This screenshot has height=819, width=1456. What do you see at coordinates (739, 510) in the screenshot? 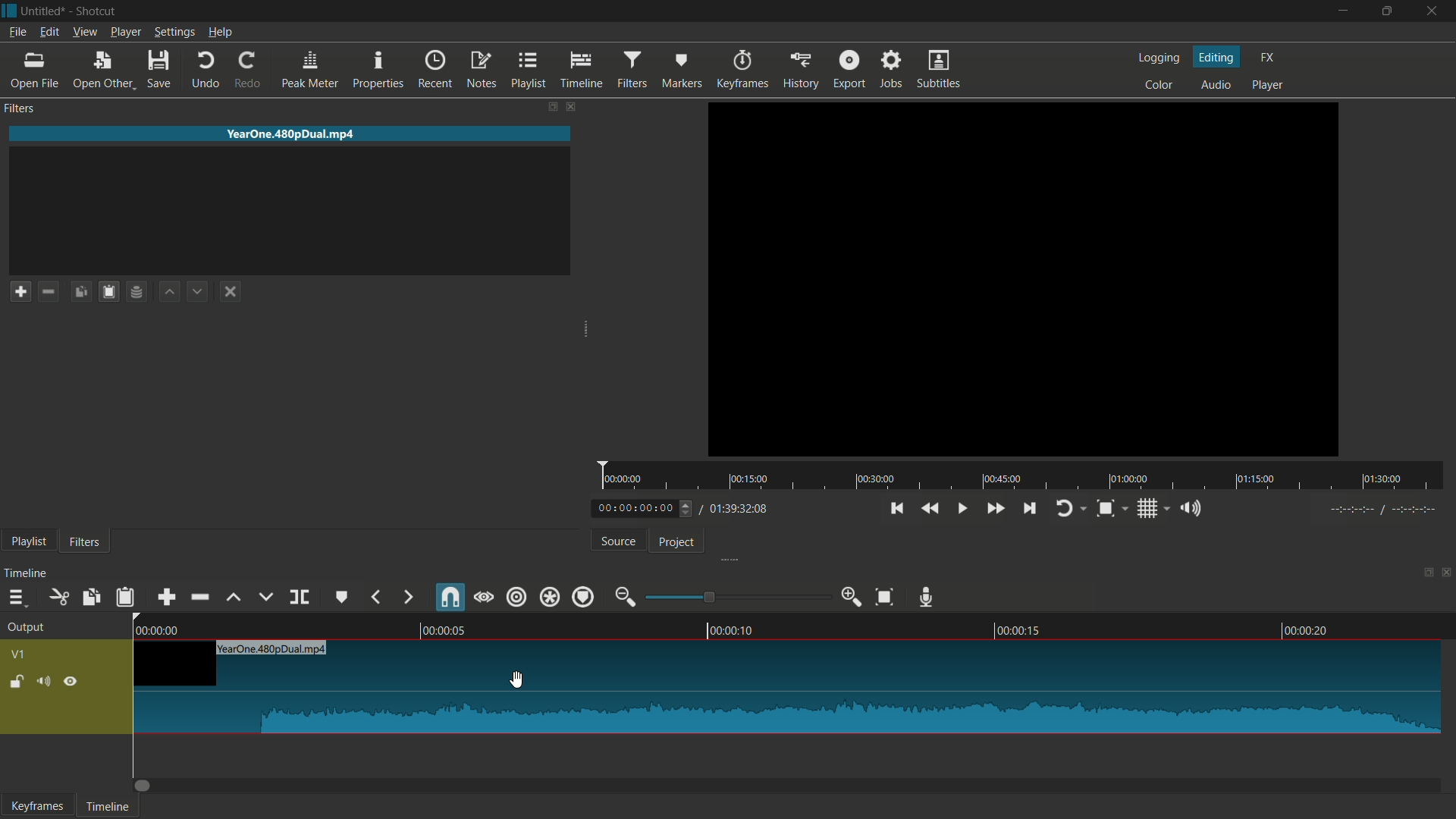
I see `total time` at bounding box center [739, 510].